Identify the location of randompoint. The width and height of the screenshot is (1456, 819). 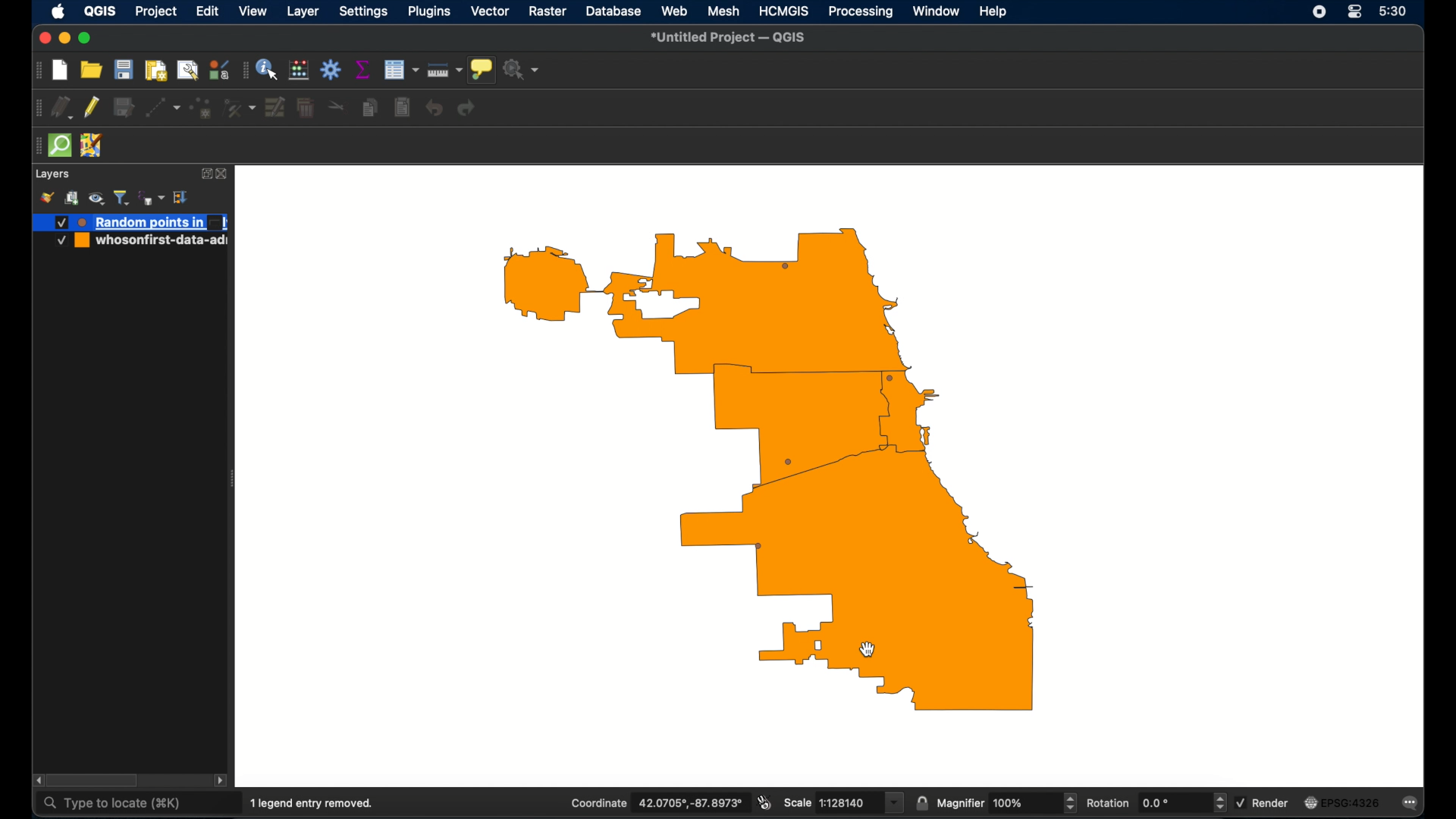
(786, 461).